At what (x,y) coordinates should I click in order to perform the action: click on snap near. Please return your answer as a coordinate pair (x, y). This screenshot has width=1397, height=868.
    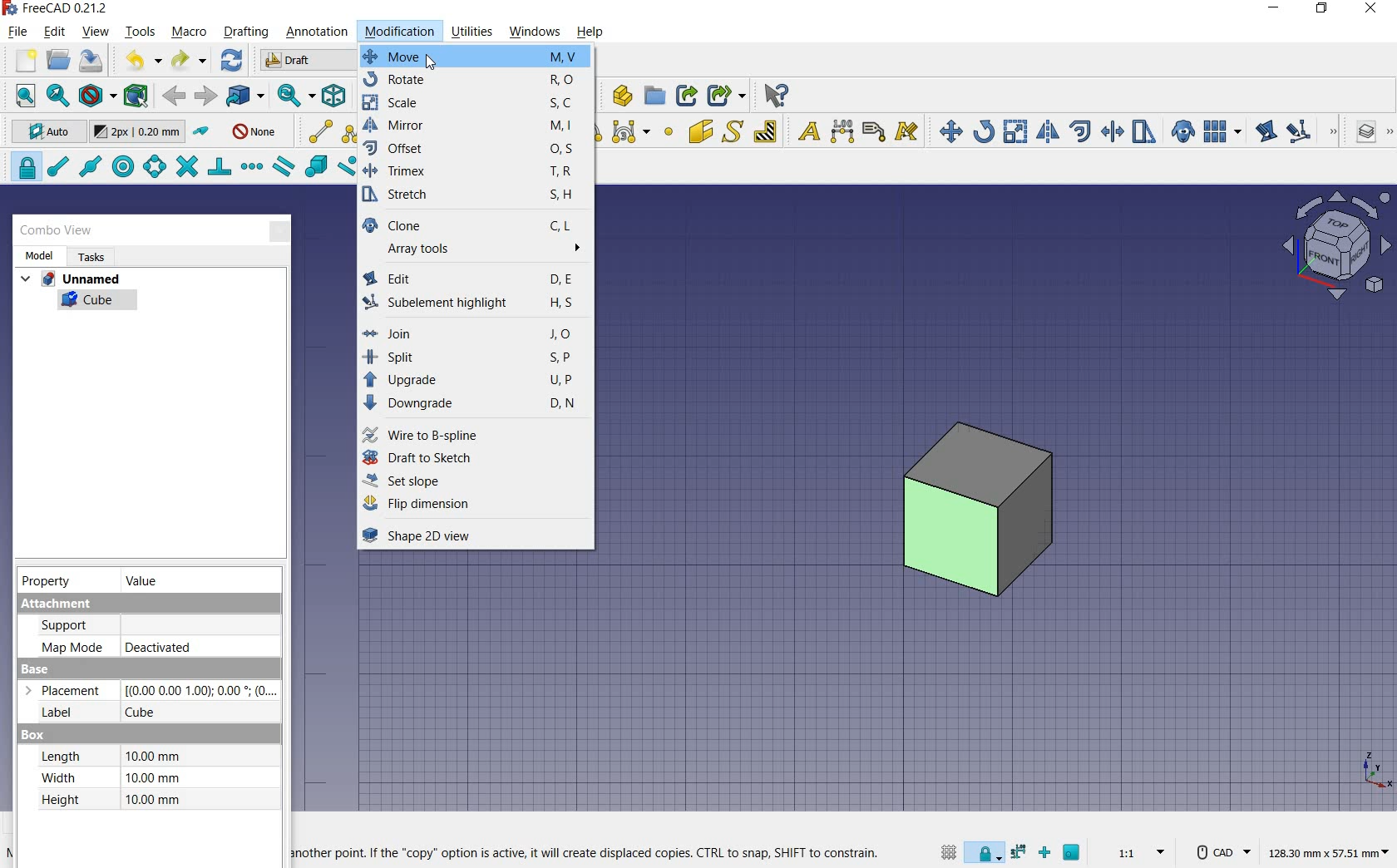
    Looking at the image, I should click on (348, 166).